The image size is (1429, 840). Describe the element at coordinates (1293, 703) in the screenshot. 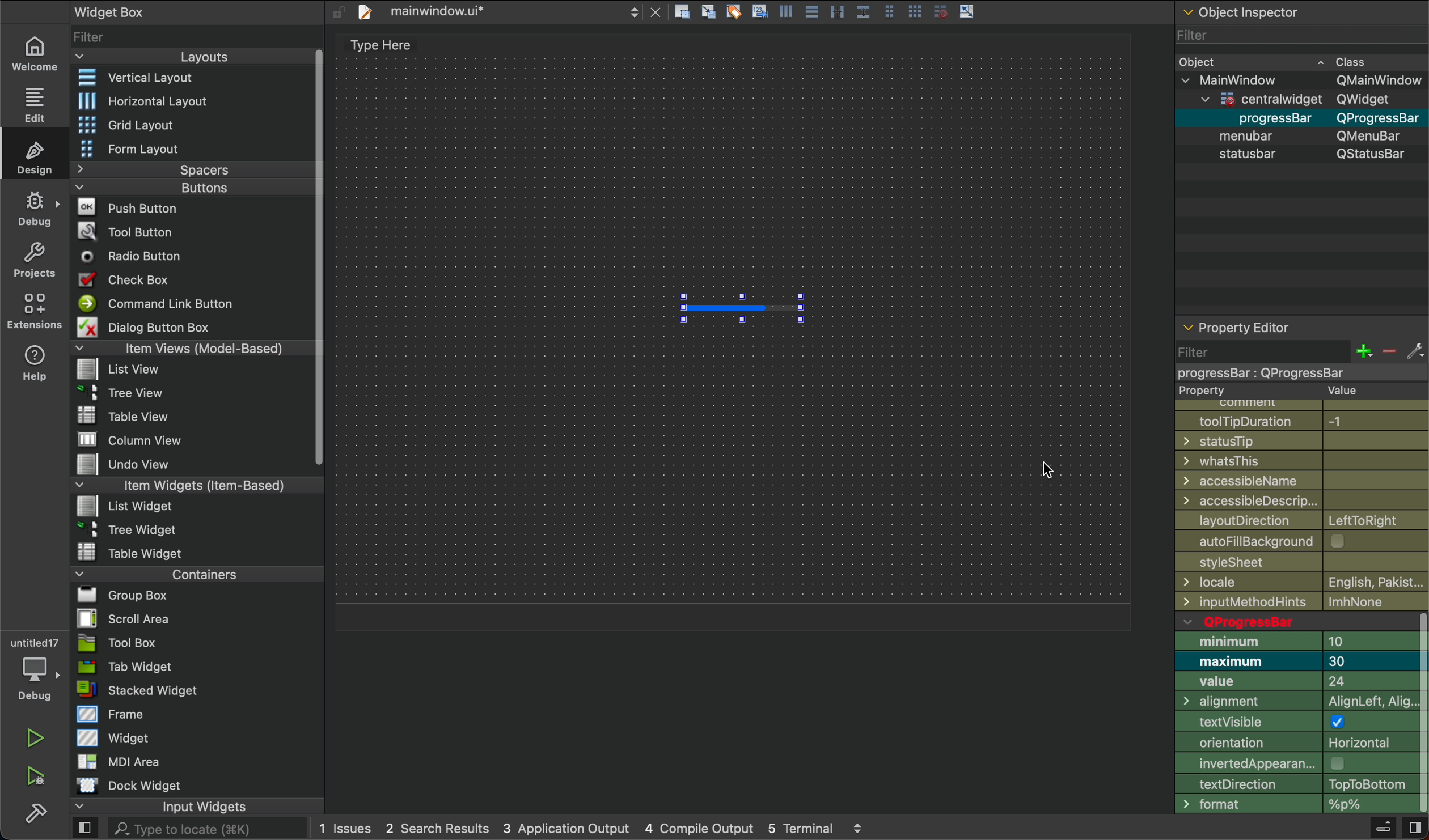

I see `Alignment` at that location.